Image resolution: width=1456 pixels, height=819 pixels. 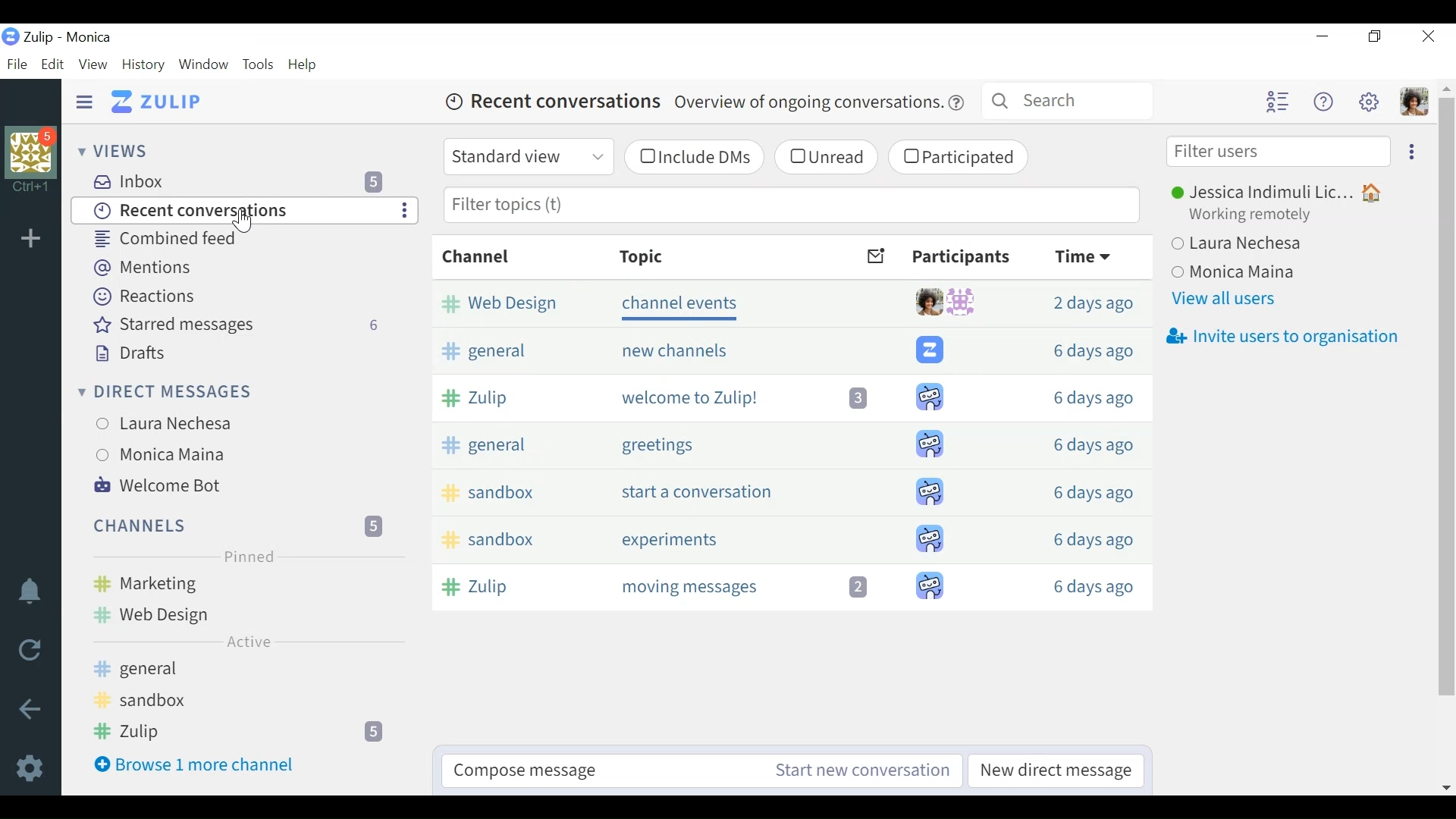 I want to click on Laura Nechesa, so click(x=1270, y=246).